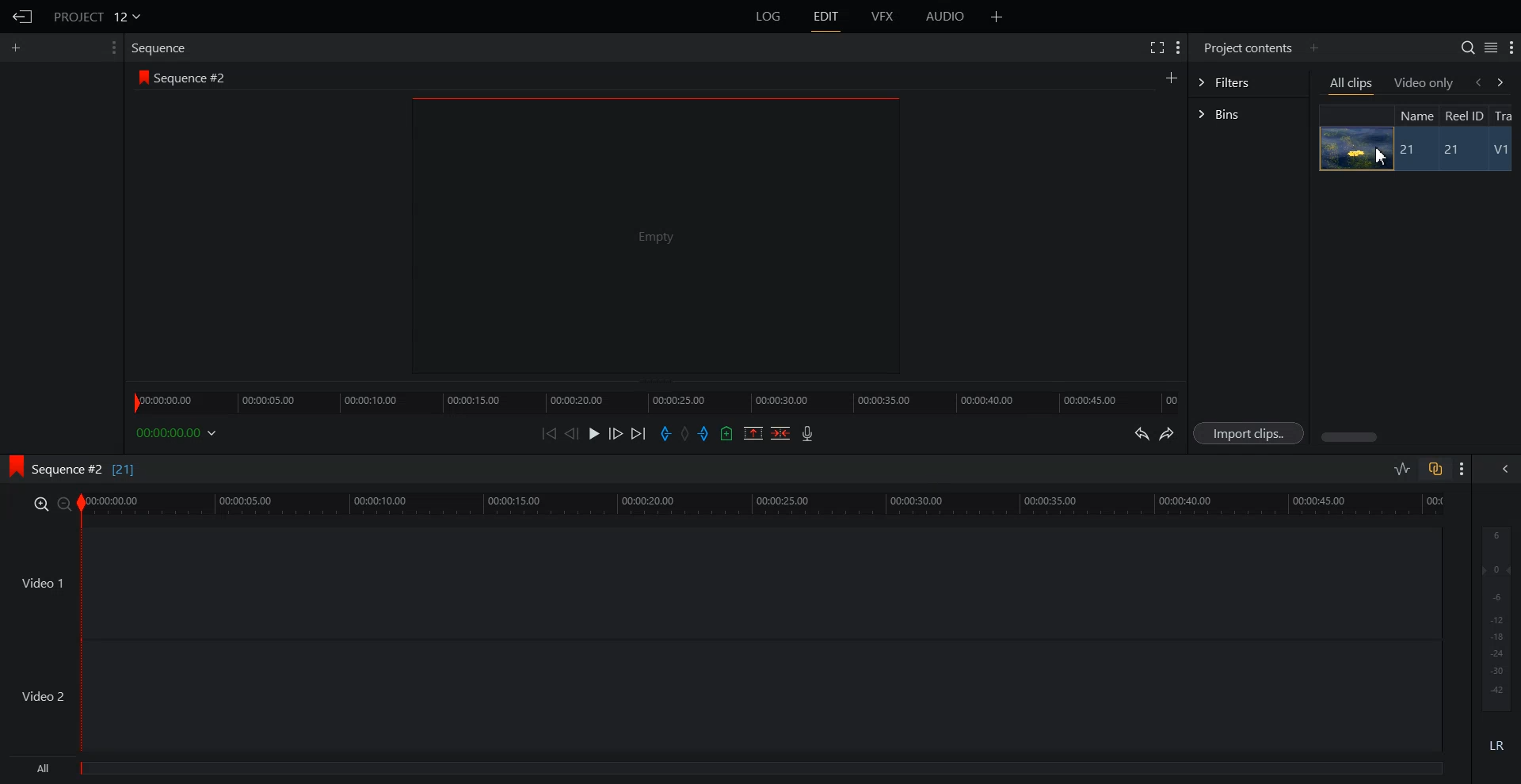  What do you see at coordinates (97, 16) in the screenshot?
I see `PROJECT 12` at bounding box center [97, 16].